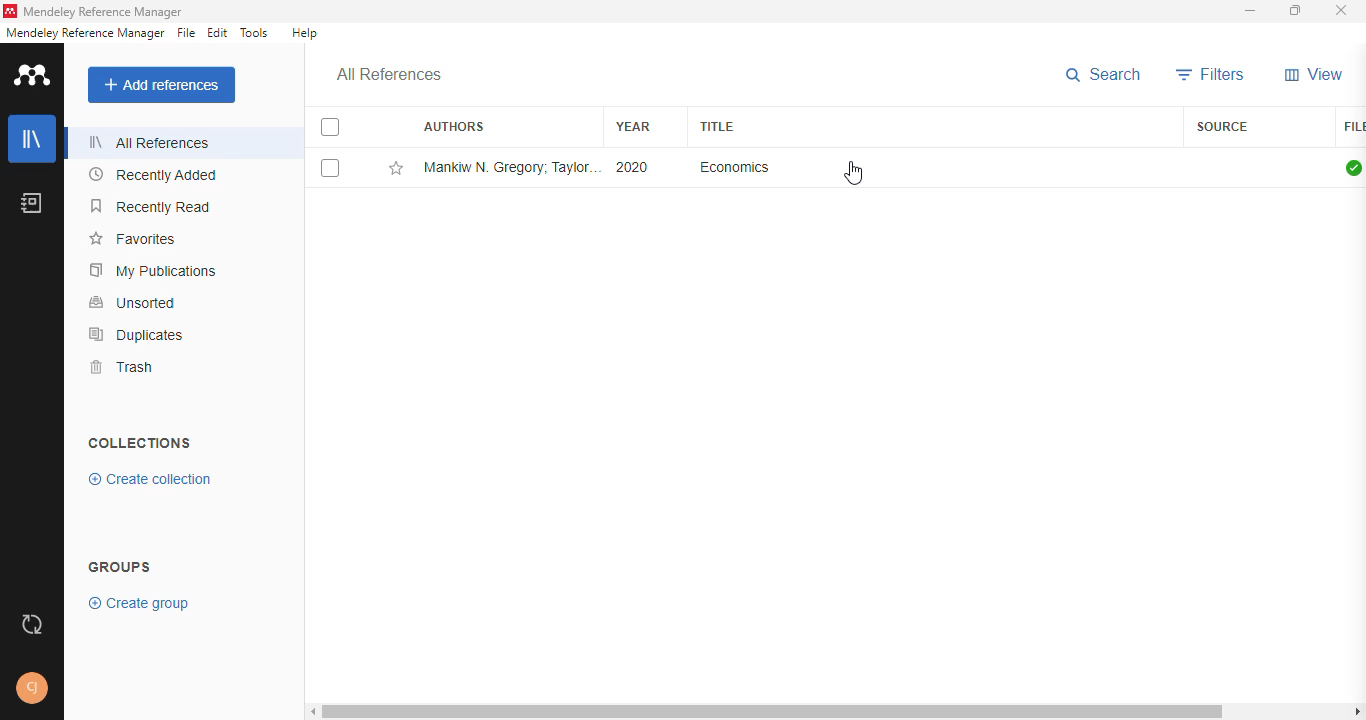  I want to click on close, so click(1342, 10).